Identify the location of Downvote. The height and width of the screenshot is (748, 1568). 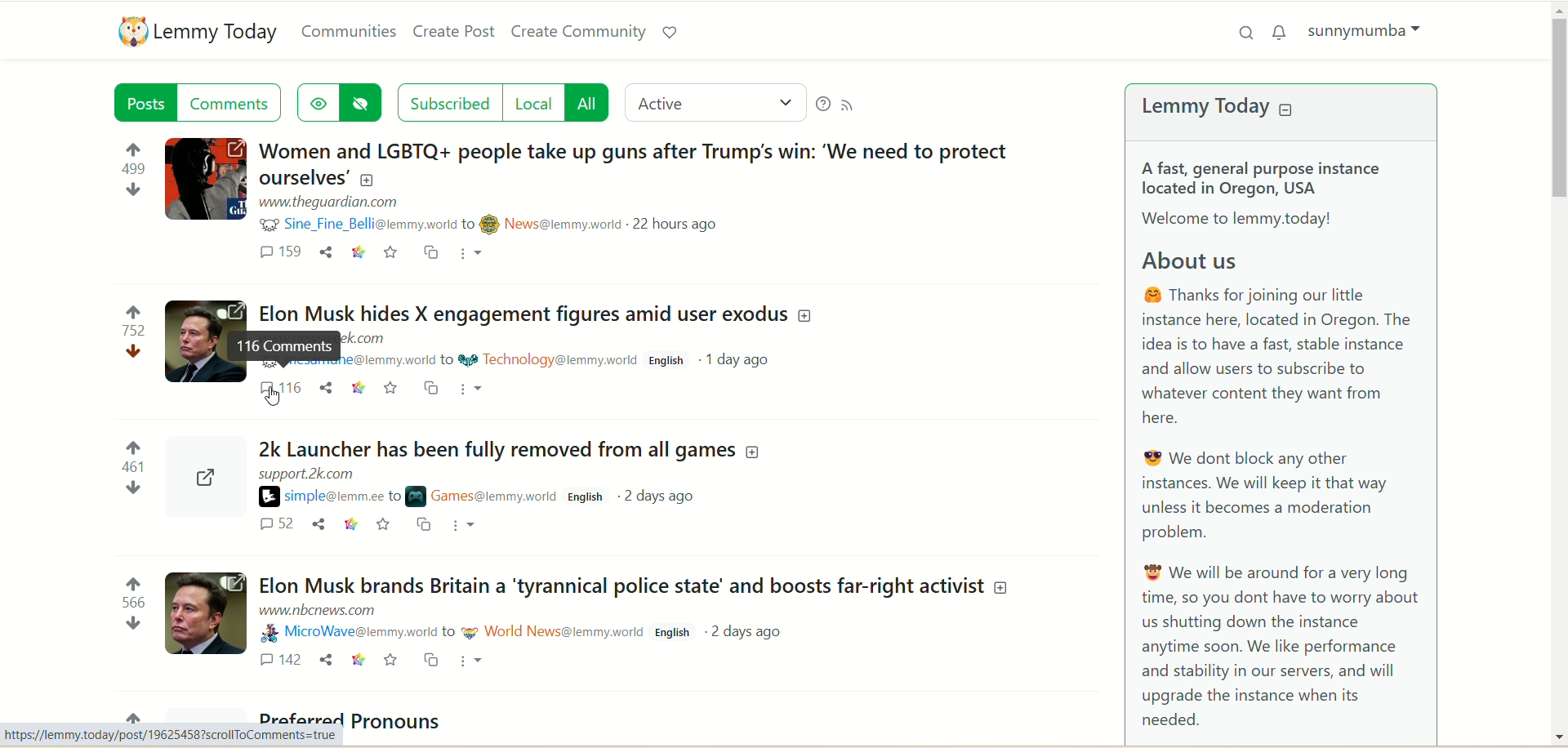
(136, 351).